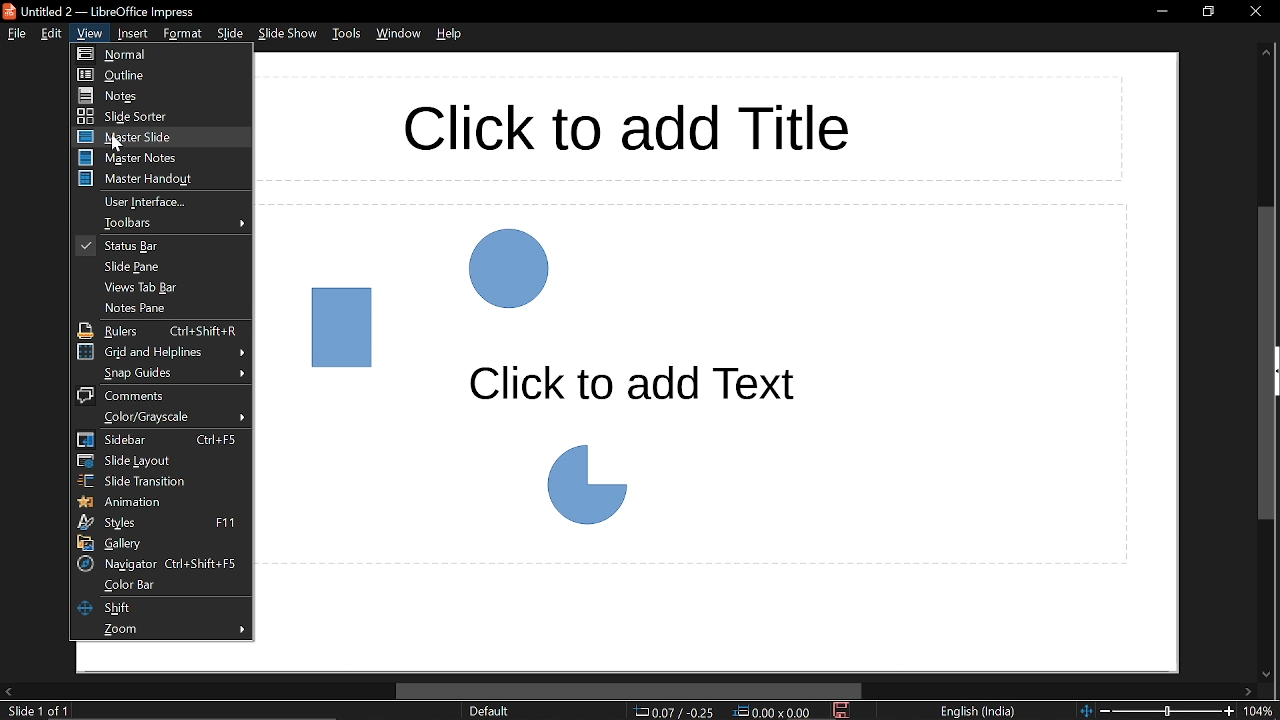 The image size is (1280, 720). Describe the element at coordinates (692, 128) in the screenshot. I see `SPace for adding title` at that location.